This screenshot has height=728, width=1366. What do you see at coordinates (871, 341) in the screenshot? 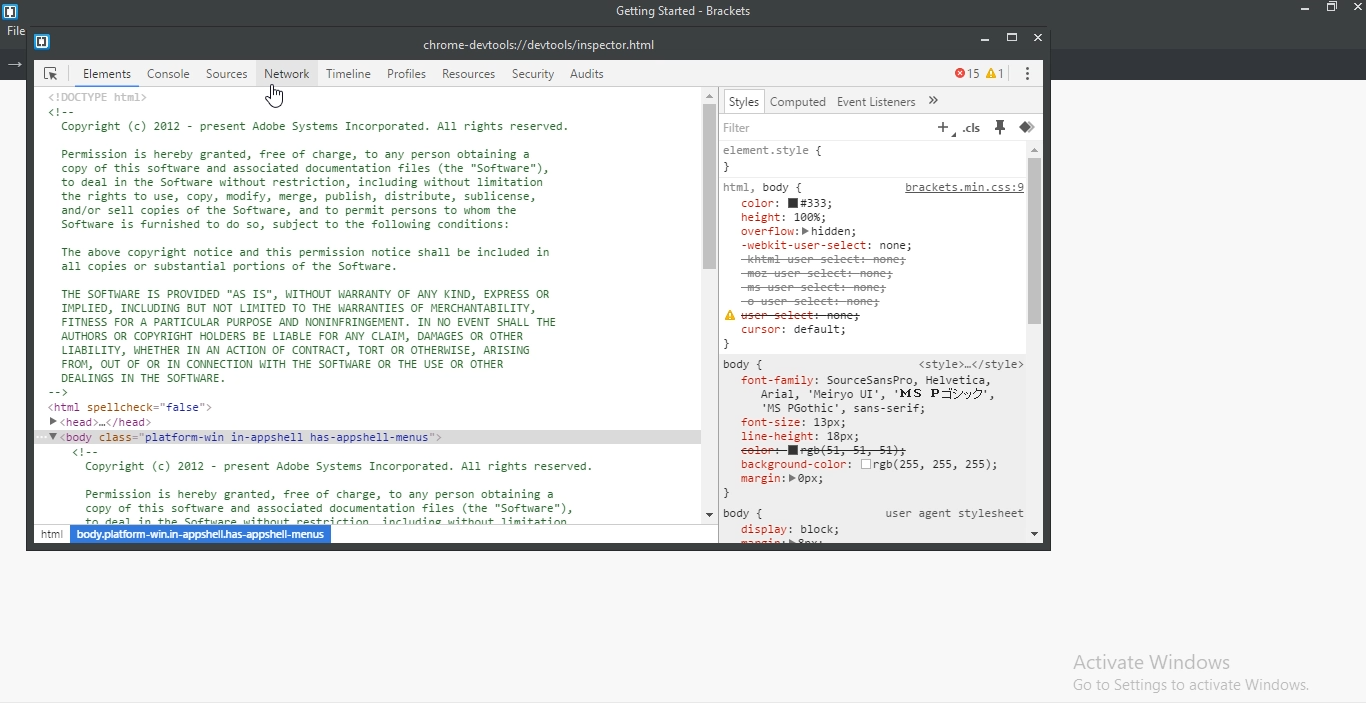
I see `filter code` at bounding box center [871, 341].